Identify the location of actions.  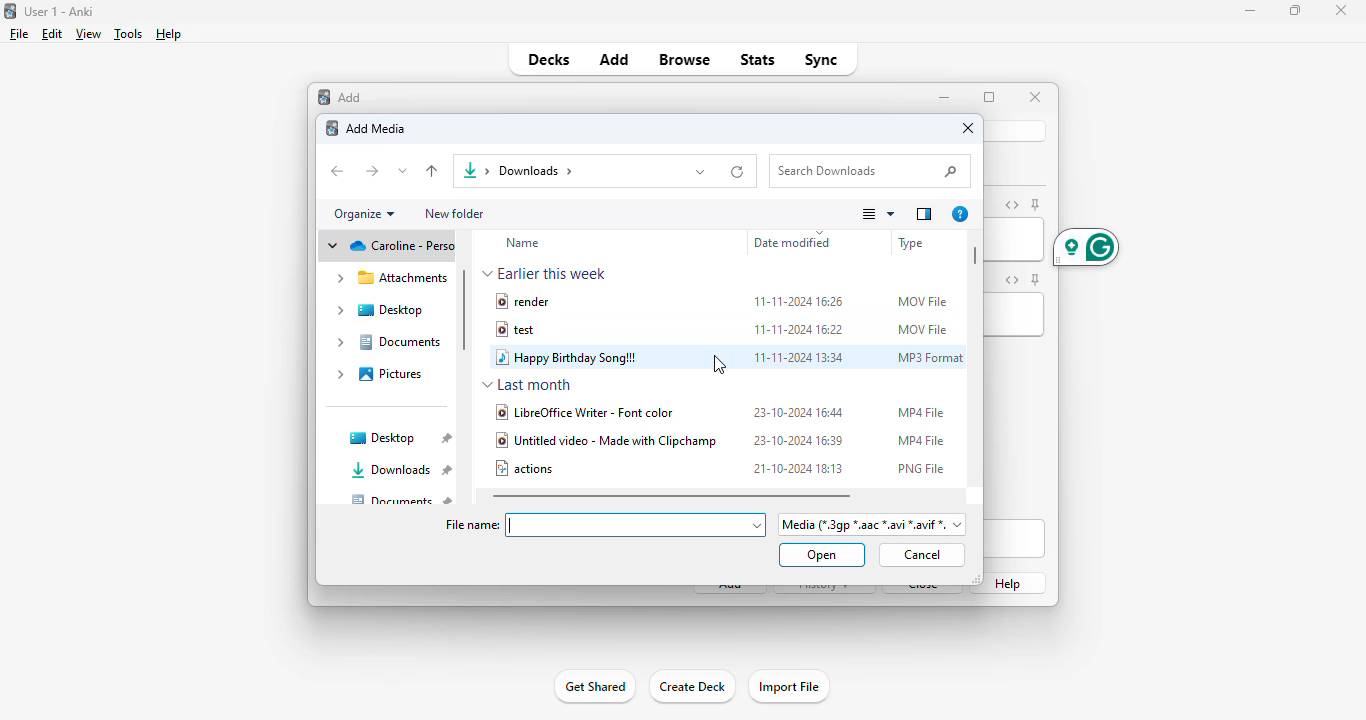
(528, 469).